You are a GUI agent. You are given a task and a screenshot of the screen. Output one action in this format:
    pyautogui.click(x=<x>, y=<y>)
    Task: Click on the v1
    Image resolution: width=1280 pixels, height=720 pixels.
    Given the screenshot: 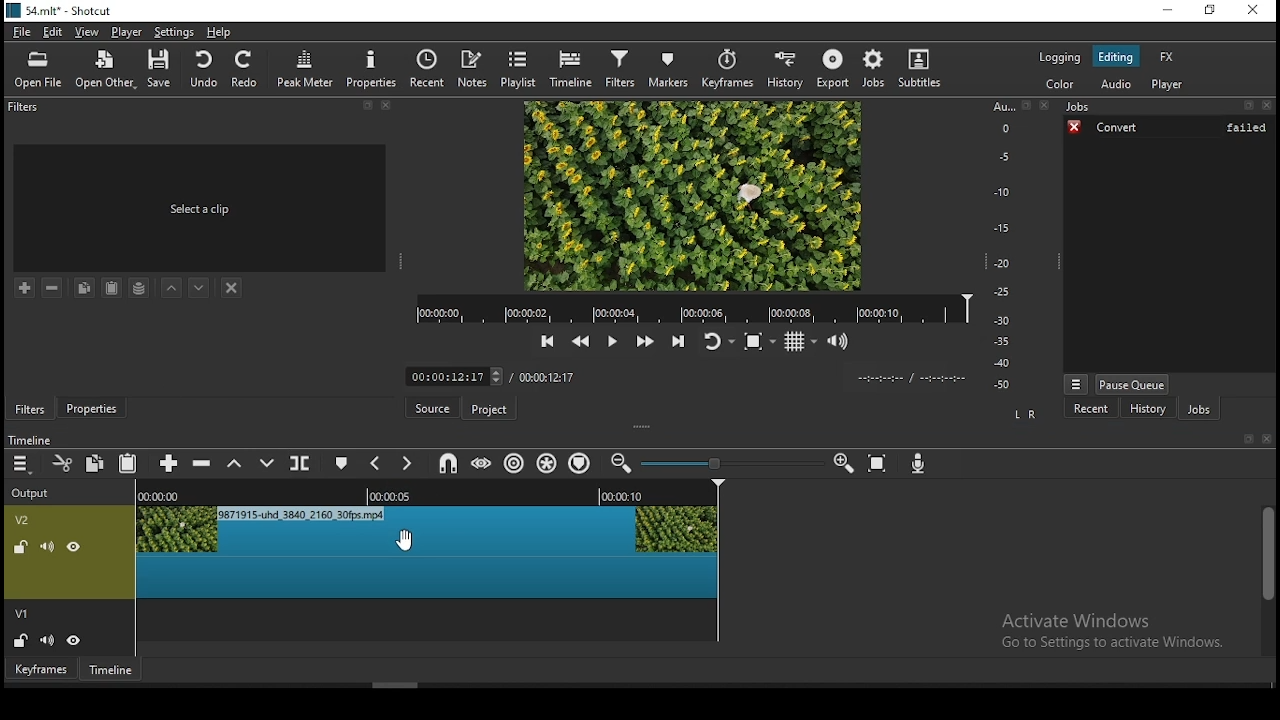 What is the action you would take?
    pyautogui.click(x=22, y=611)
    